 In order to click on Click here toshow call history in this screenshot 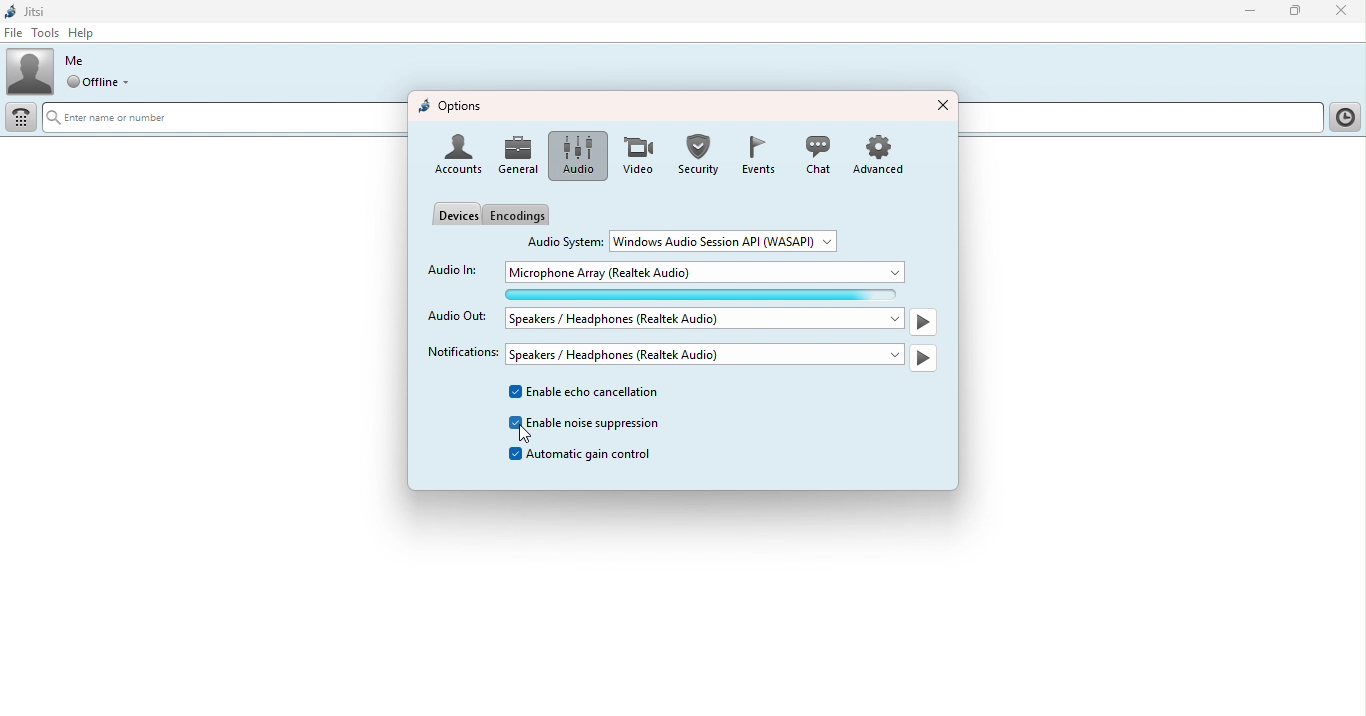, I will do `click(1343, 118)`.